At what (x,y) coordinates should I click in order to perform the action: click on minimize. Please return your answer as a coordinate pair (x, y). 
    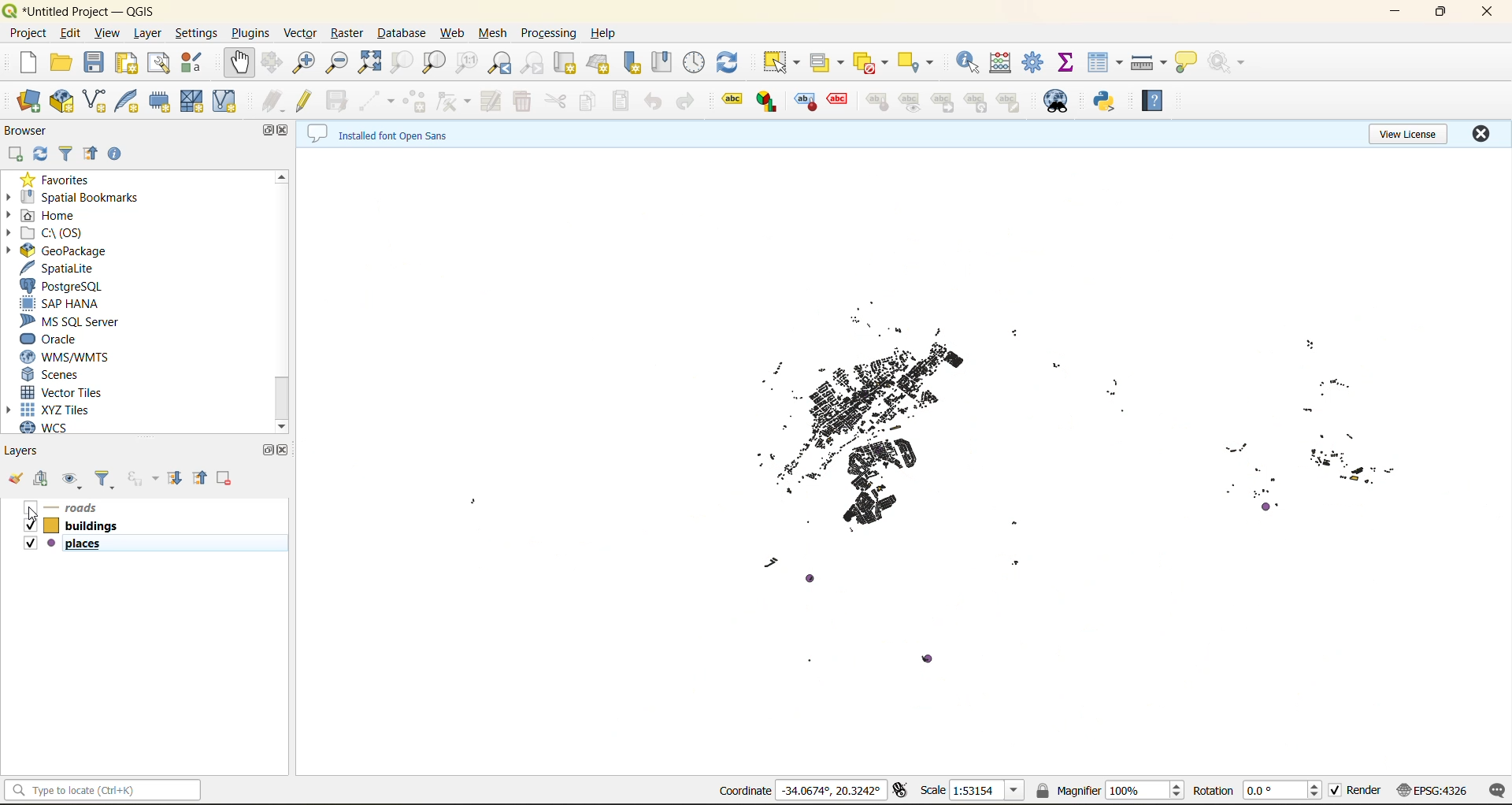
    Looking at the image, I should click on (1396, 17).